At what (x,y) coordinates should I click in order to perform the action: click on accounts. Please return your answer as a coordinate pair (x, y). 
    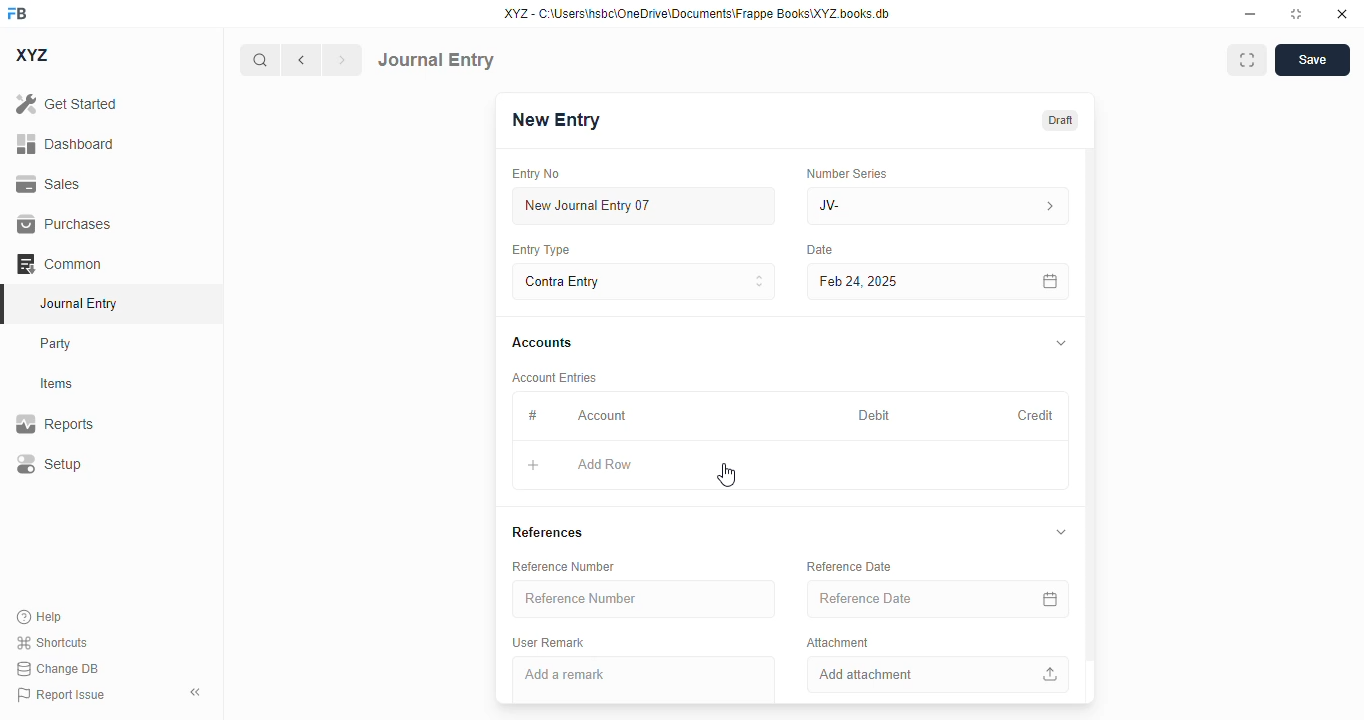
    Looking at the image, I should click on (542, 344).